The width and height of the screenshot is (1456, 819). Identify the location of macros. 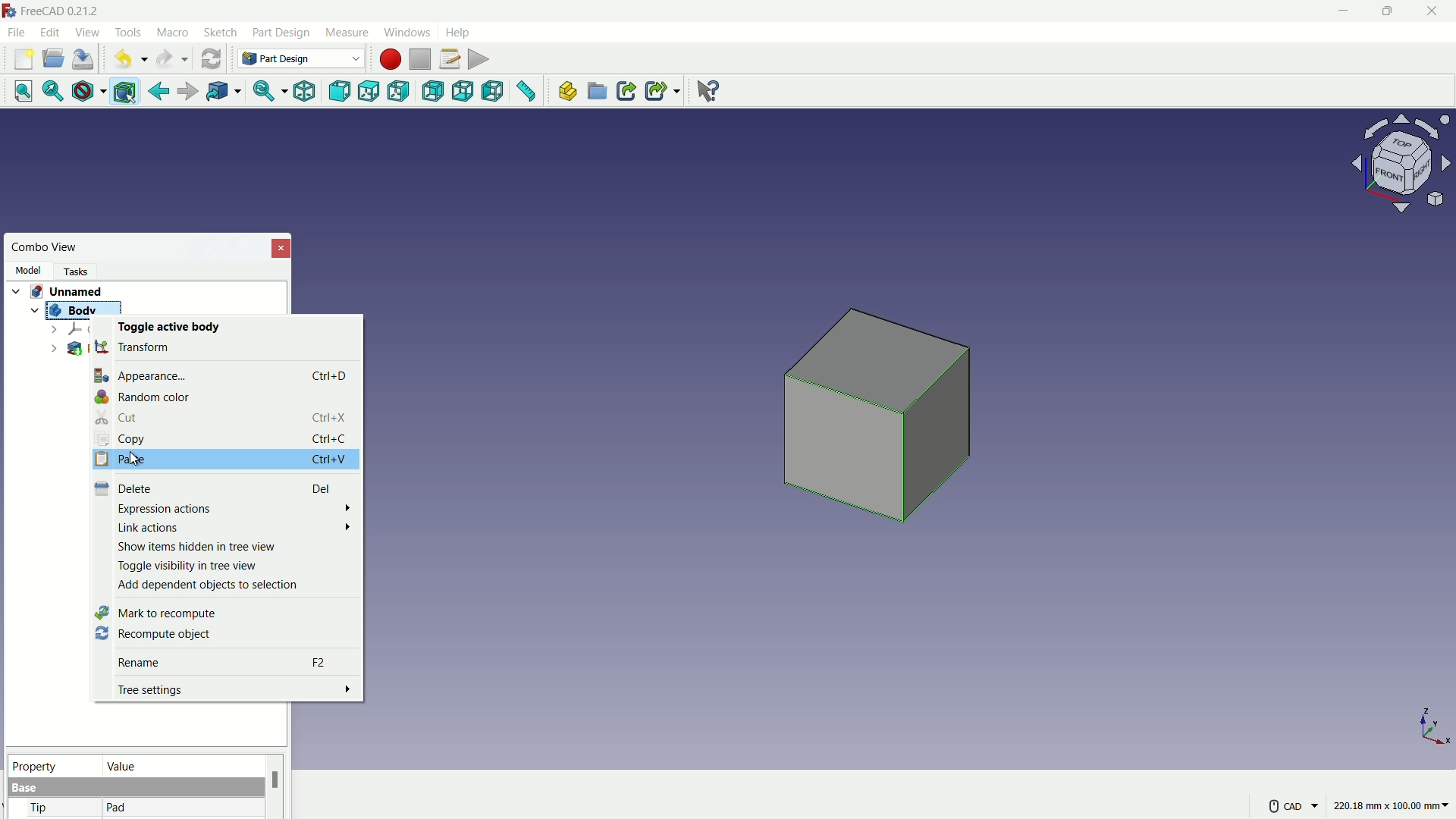
(449, 58).